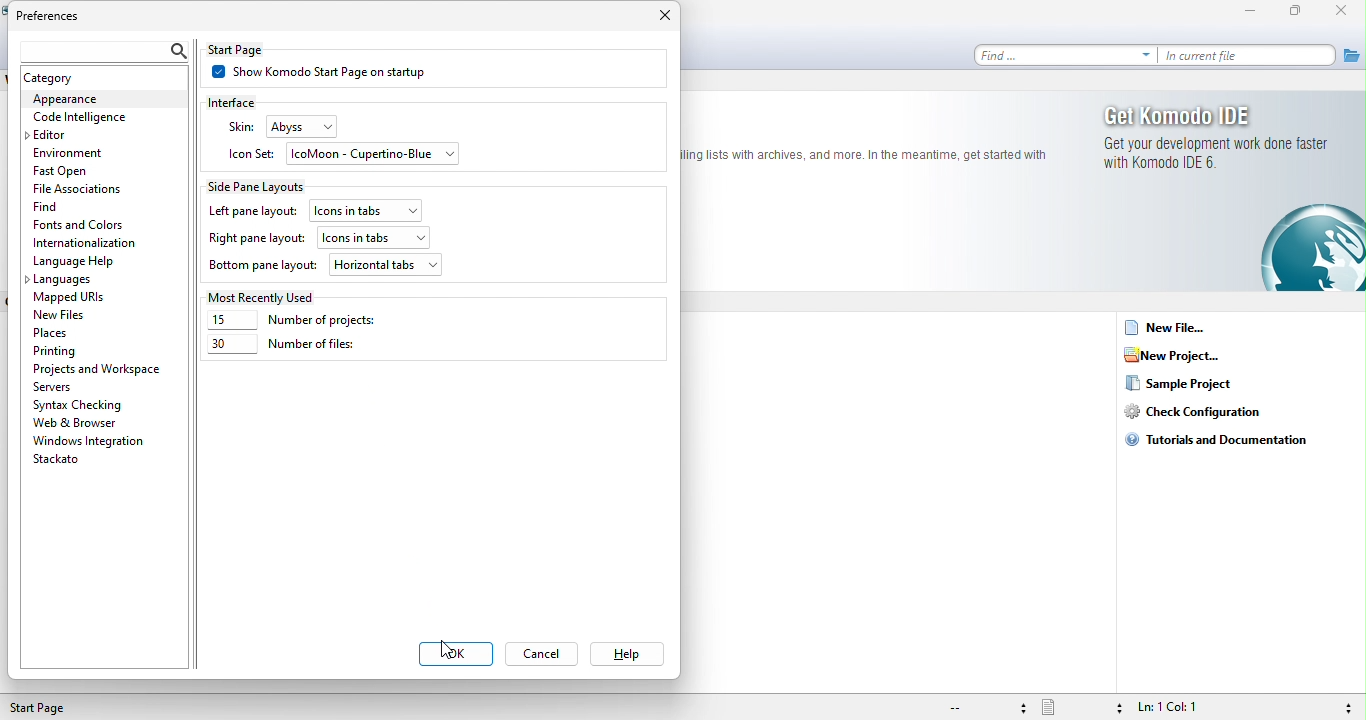 This screenshot has width=1366, height=720. I want to click on icon in tabs, so click(369, 208).